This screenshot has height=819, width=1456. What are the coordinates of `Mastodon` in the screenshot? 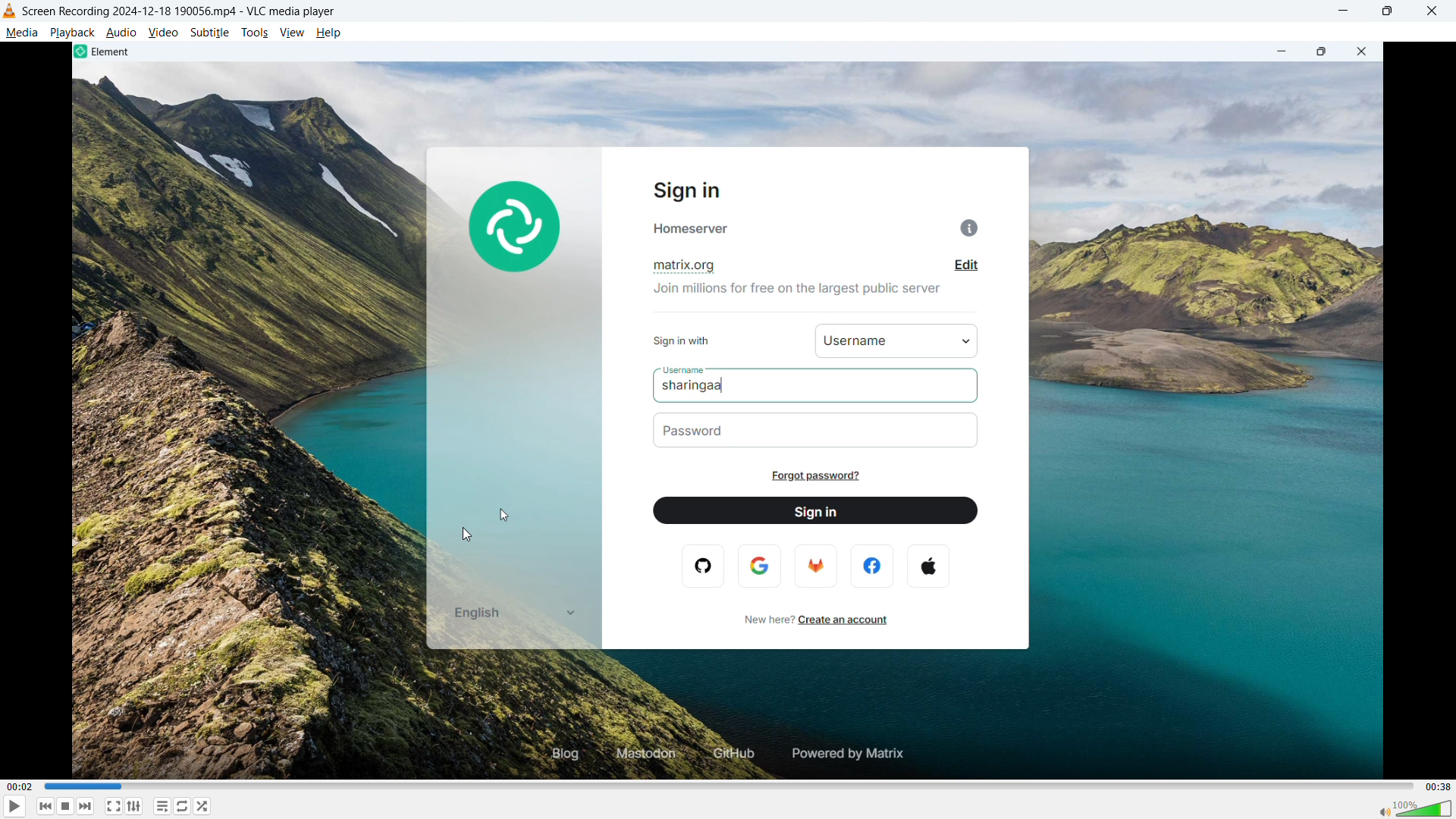 It's located at (642, 754).